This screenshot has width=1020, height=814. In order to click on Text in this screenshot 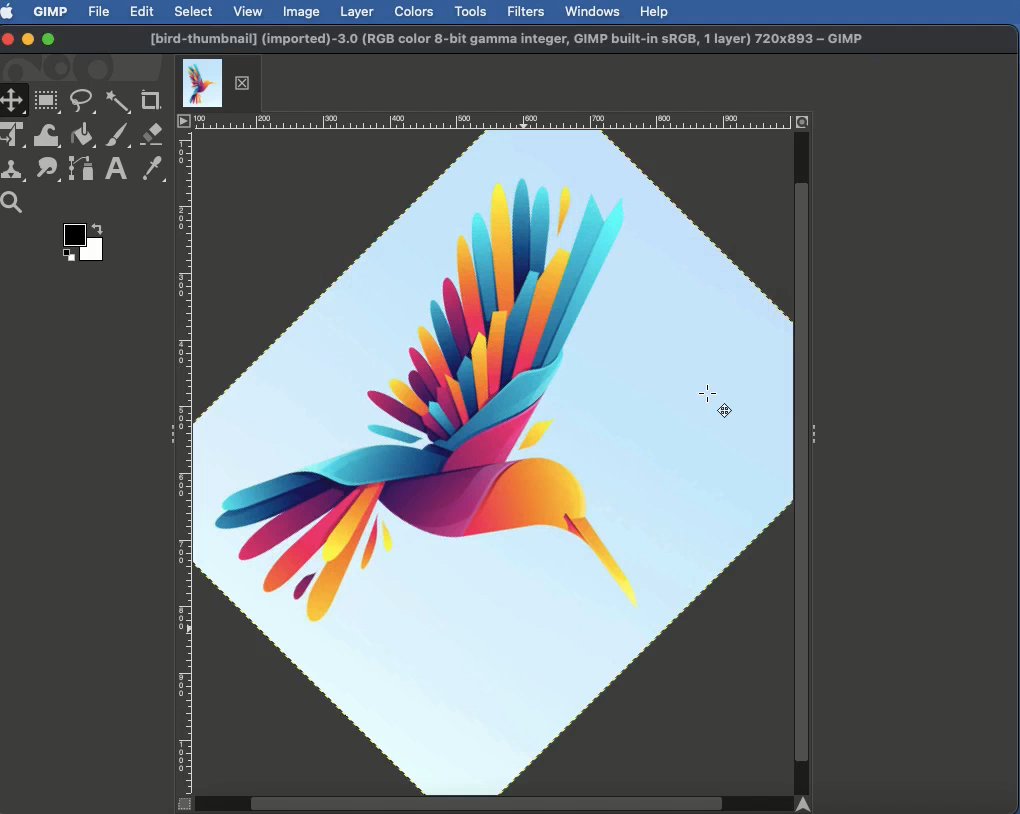, I will do `click(114, 170)`.